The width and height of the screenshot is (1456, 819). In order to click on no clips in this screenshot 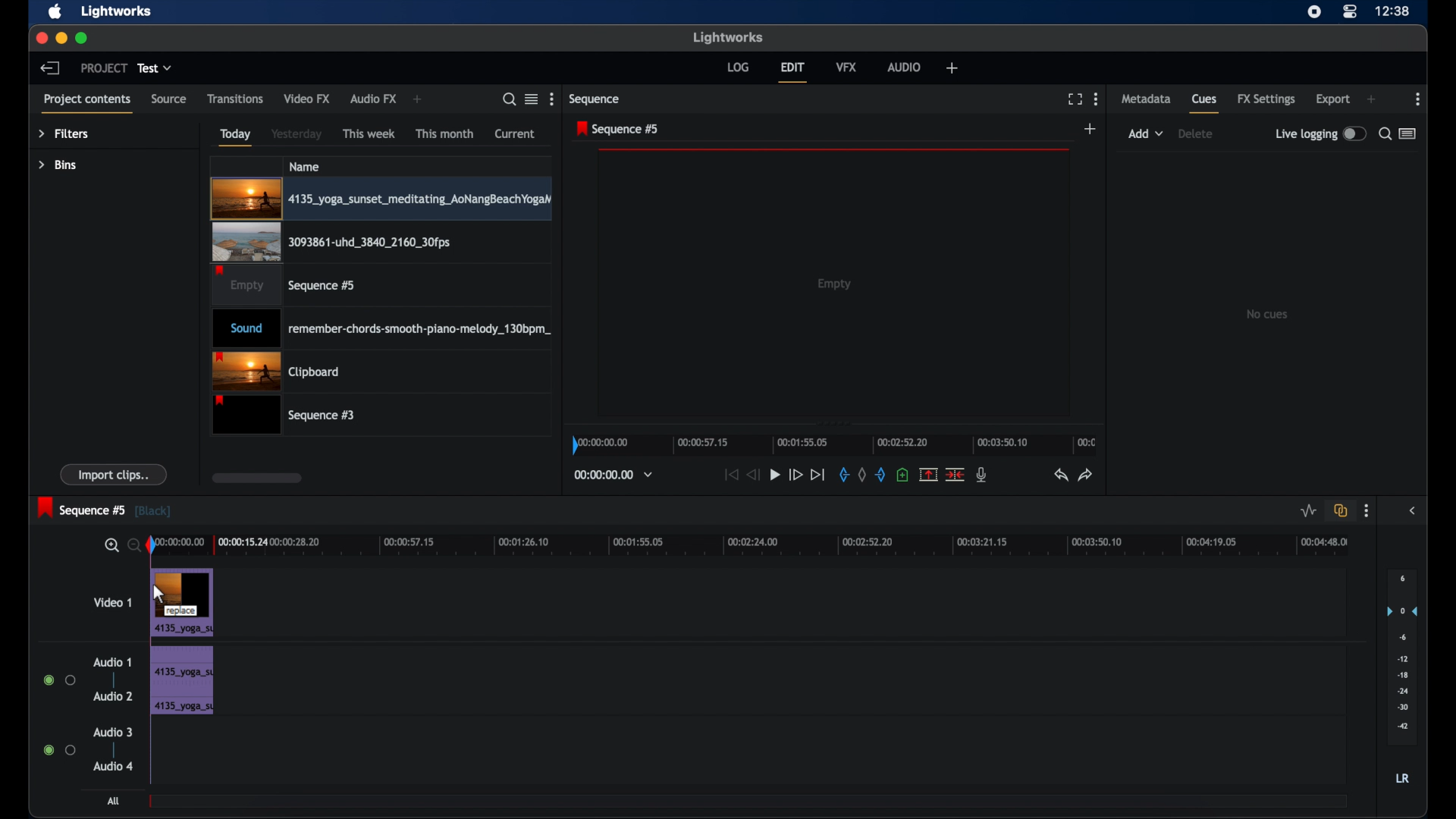, I will do `click(1268, 313)`.